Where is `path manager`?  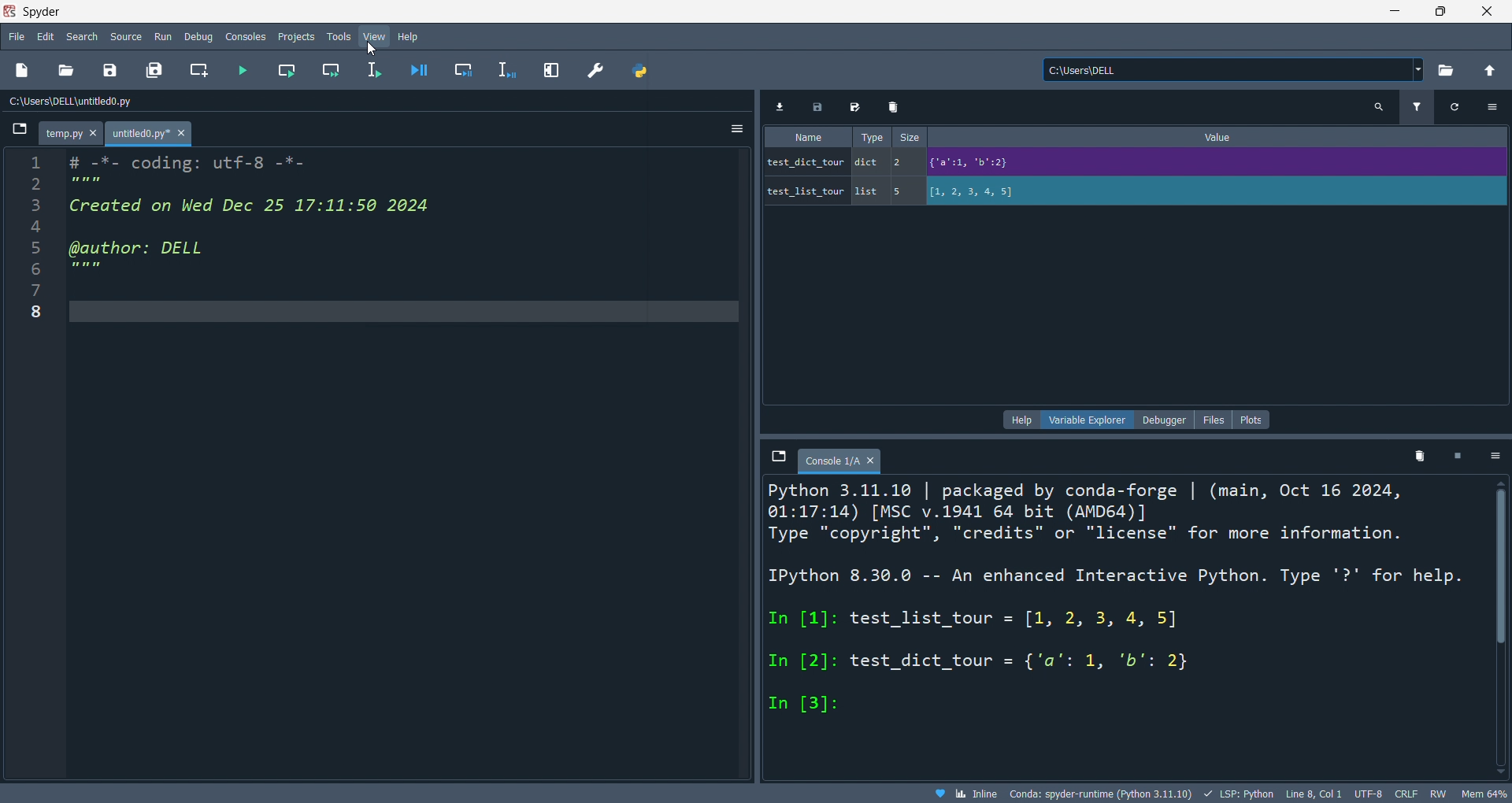 path manager is located at coordinates (638, 71).